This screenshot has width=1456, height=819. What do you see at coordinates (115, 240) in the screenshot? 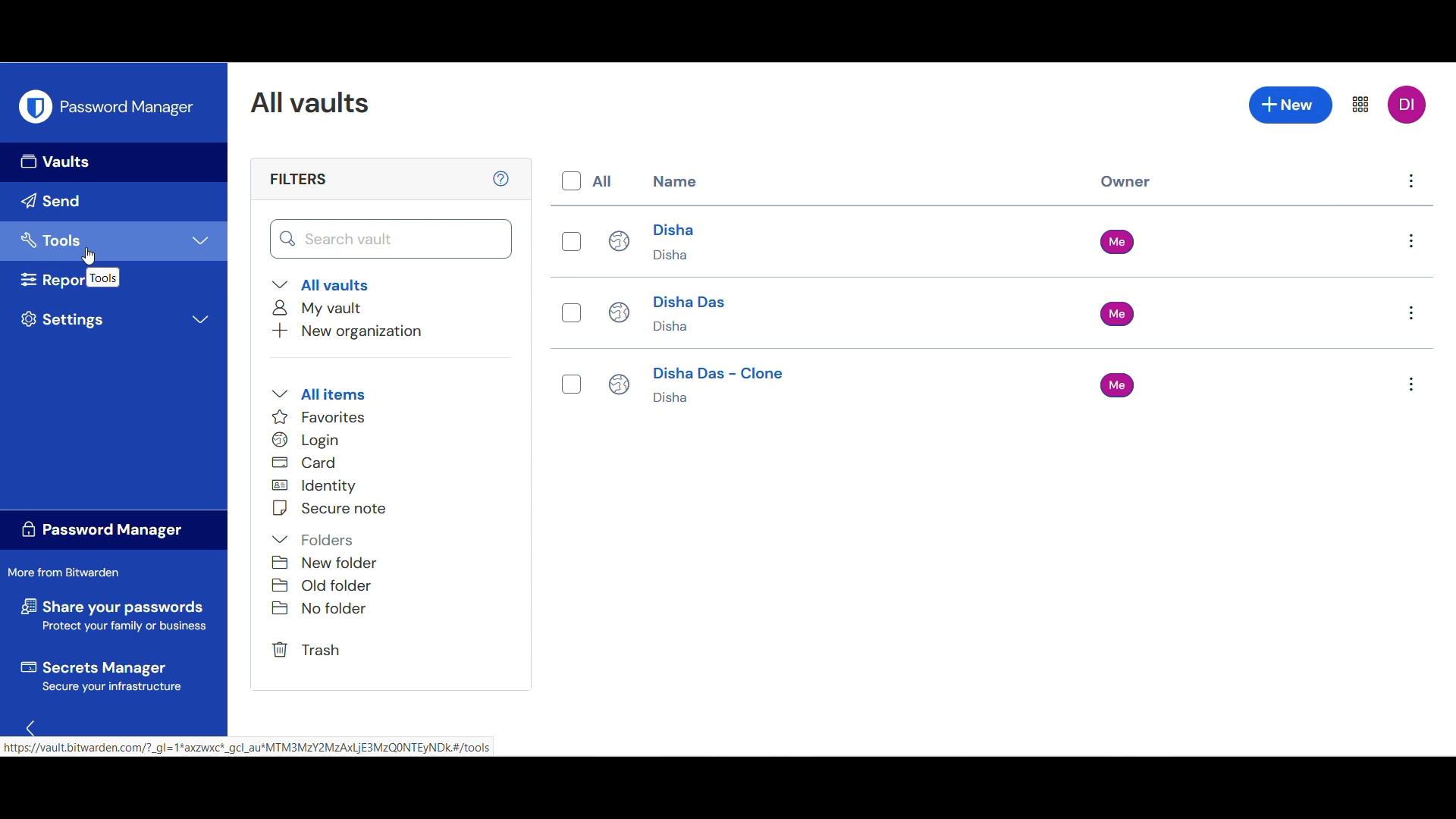
I see `Tools, highlighted by cursor` at bounding box center [115, 240].